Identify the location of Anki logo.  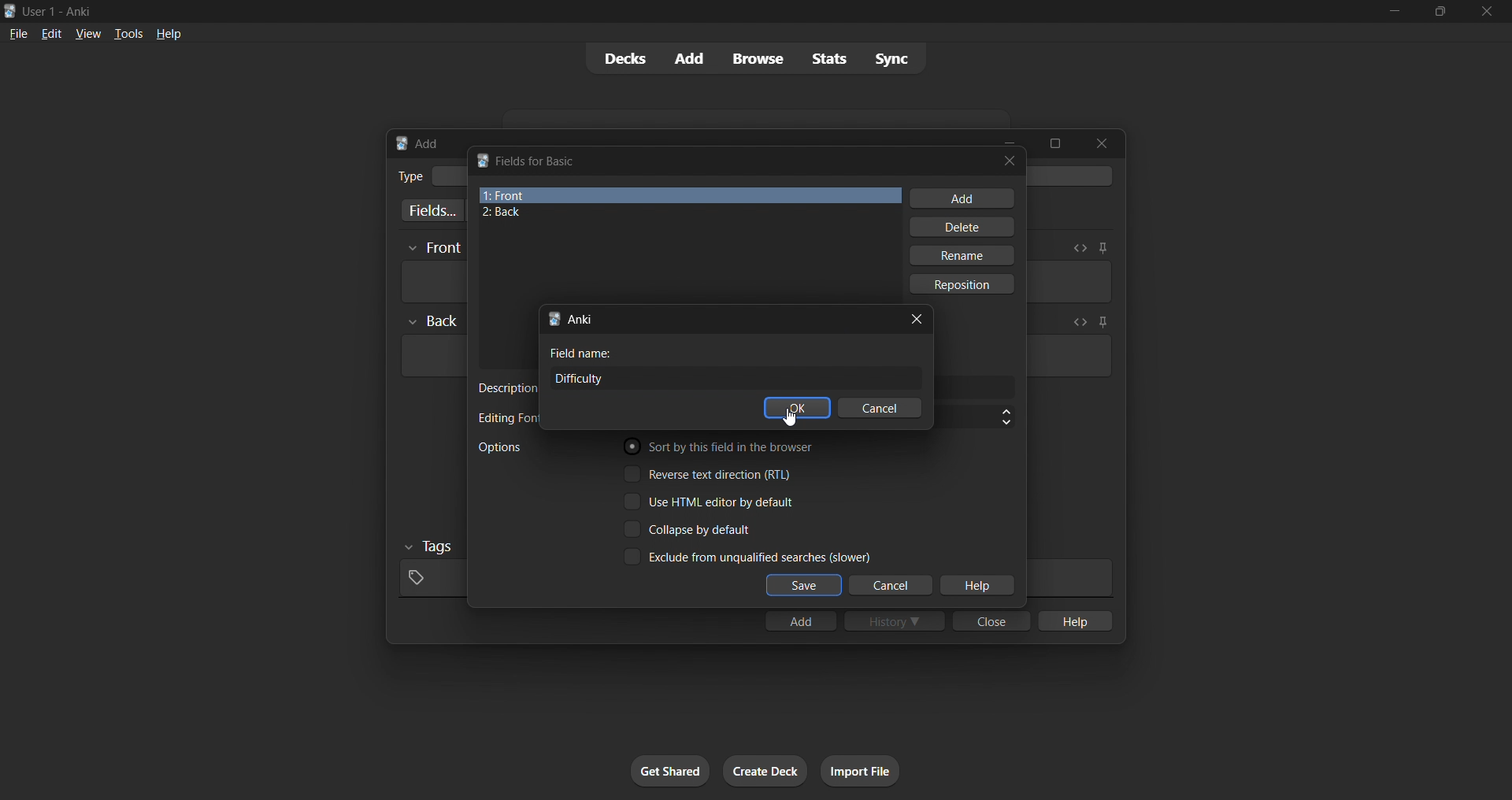
(10, 11).